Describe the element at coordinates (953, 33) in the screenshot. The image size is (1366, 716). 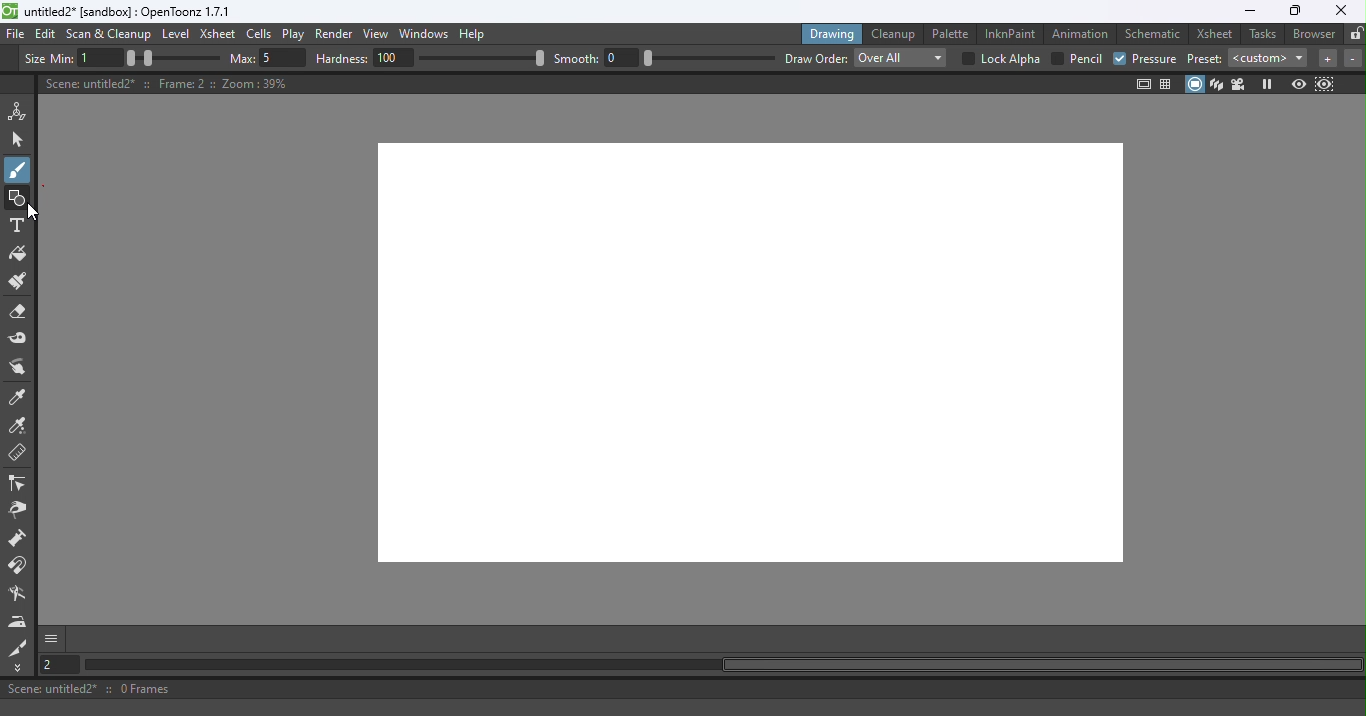
I see `Palette` at that location.